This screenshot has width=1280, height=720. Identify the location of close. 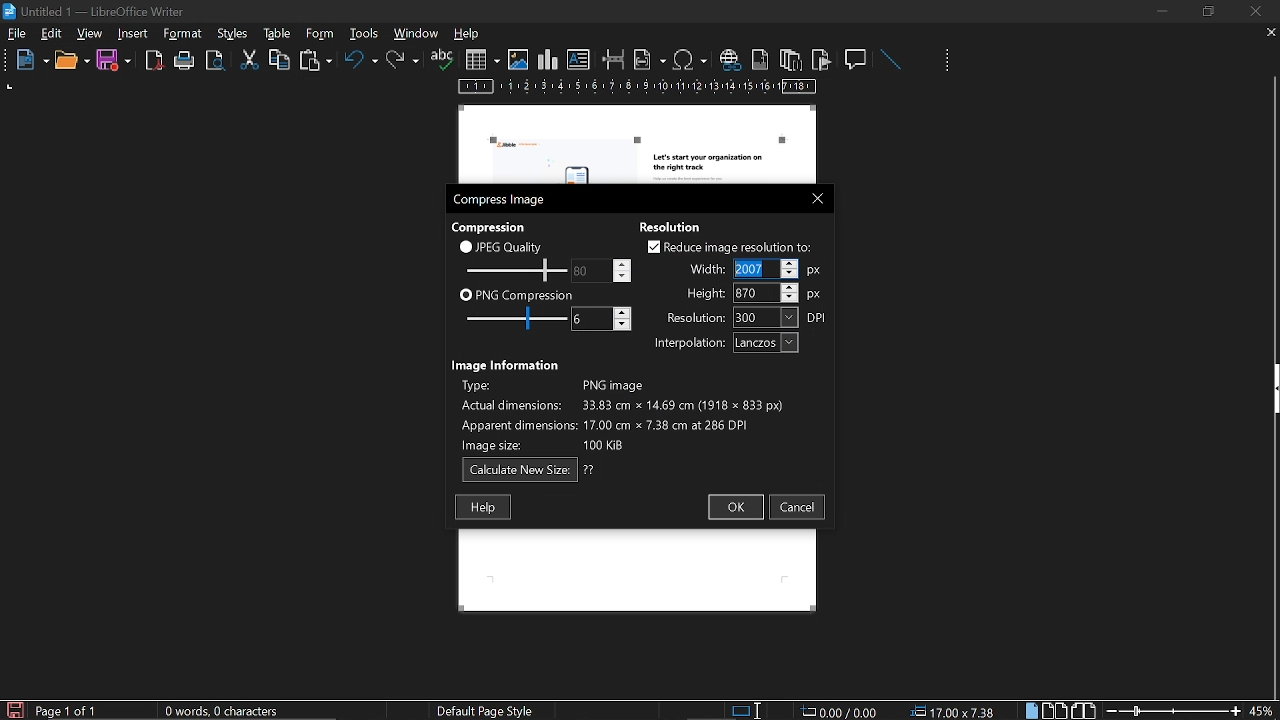
(1254, 11).